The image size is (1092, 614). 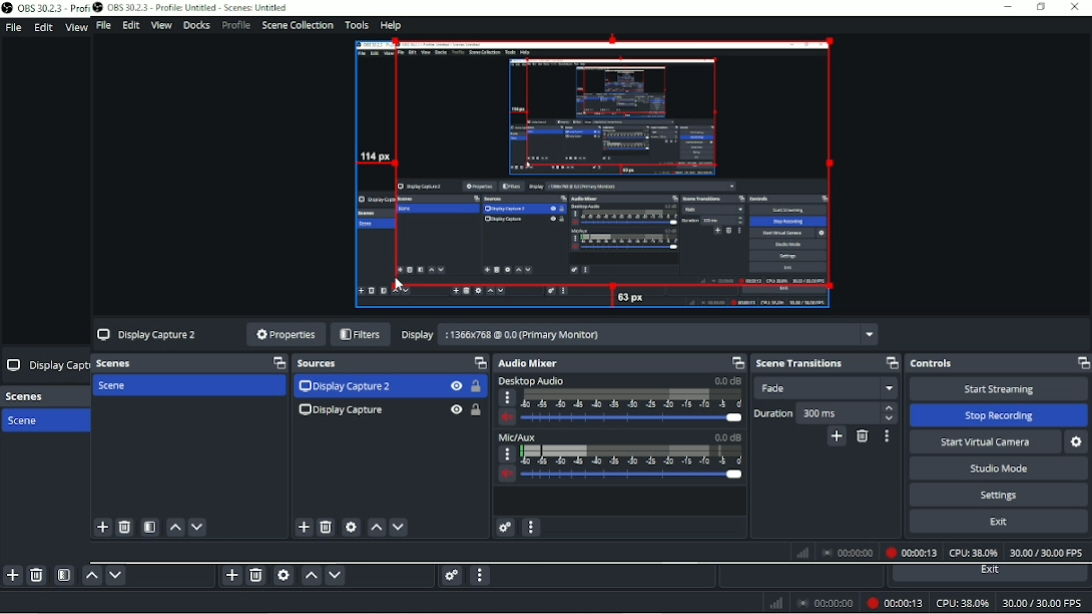 I want to click on CPU: 30.5%, so click(x=962, y=604).